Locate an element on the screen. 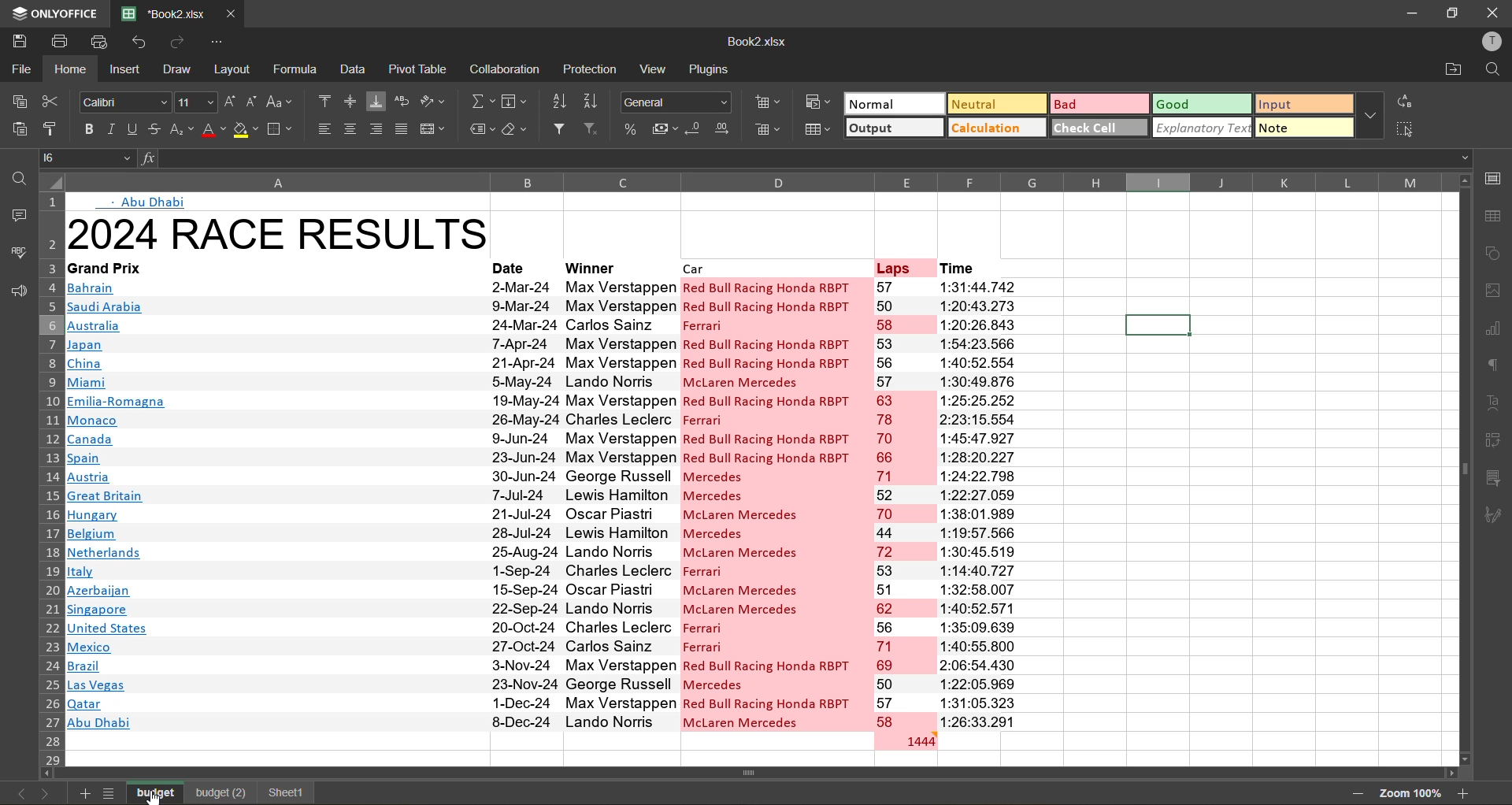 Image resolution: width=1512 pixels, height=805 pixels. font color is located at coordinates (213, 131).